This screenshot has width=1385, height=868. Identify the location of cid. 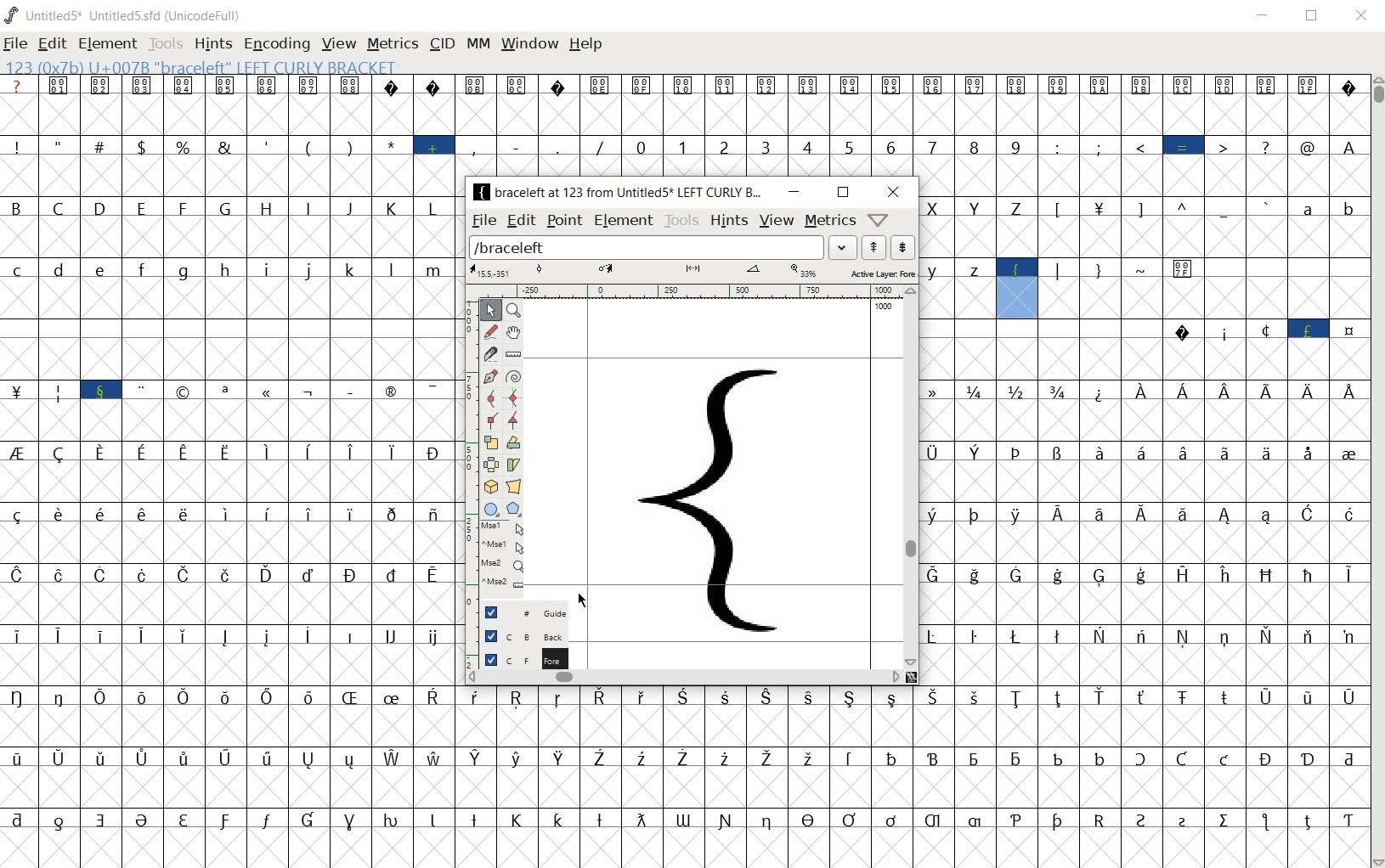
(441, 43).